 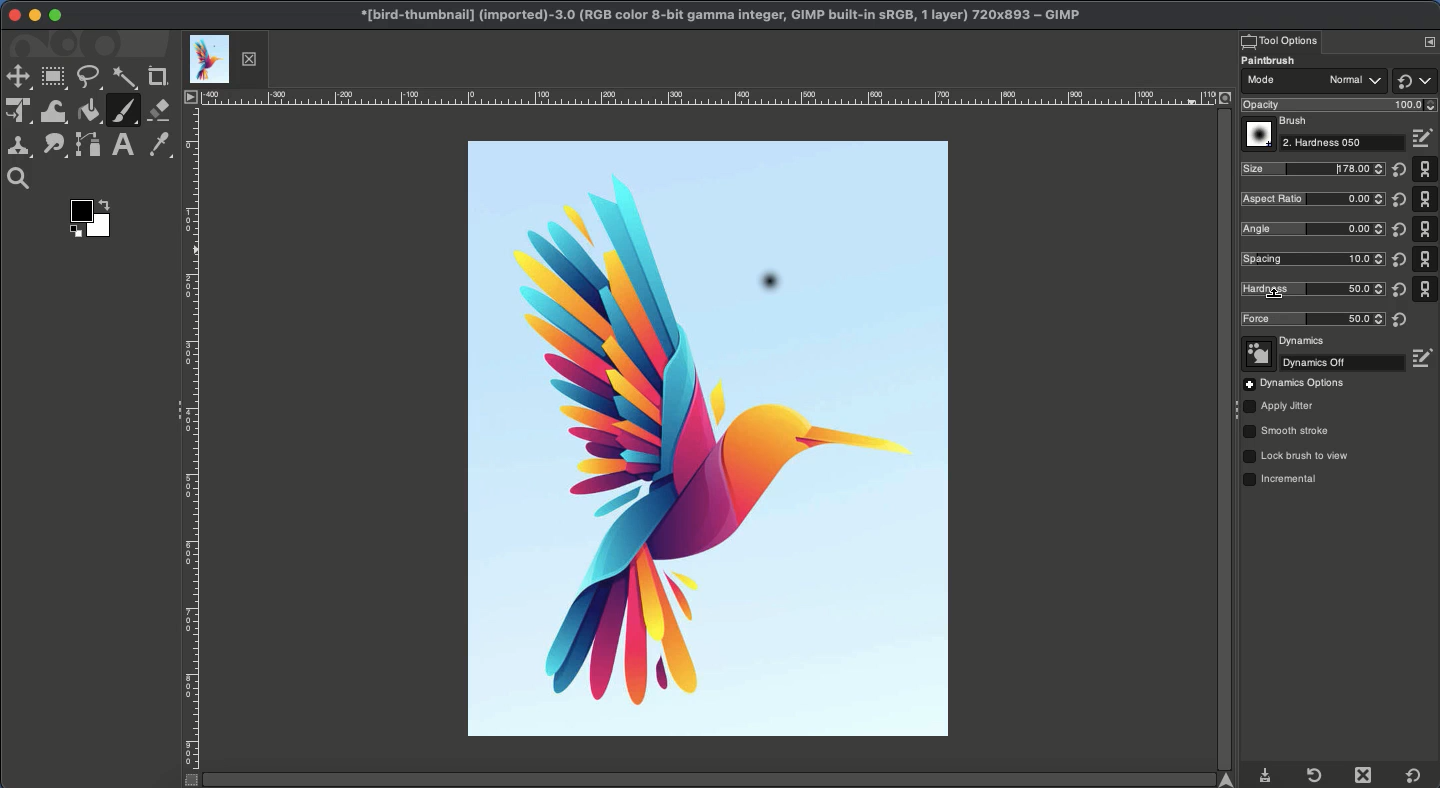 What do you see at coordinates (54, 147) in the screenshot?
I see `Smudge` at bounding box center [54, 147].